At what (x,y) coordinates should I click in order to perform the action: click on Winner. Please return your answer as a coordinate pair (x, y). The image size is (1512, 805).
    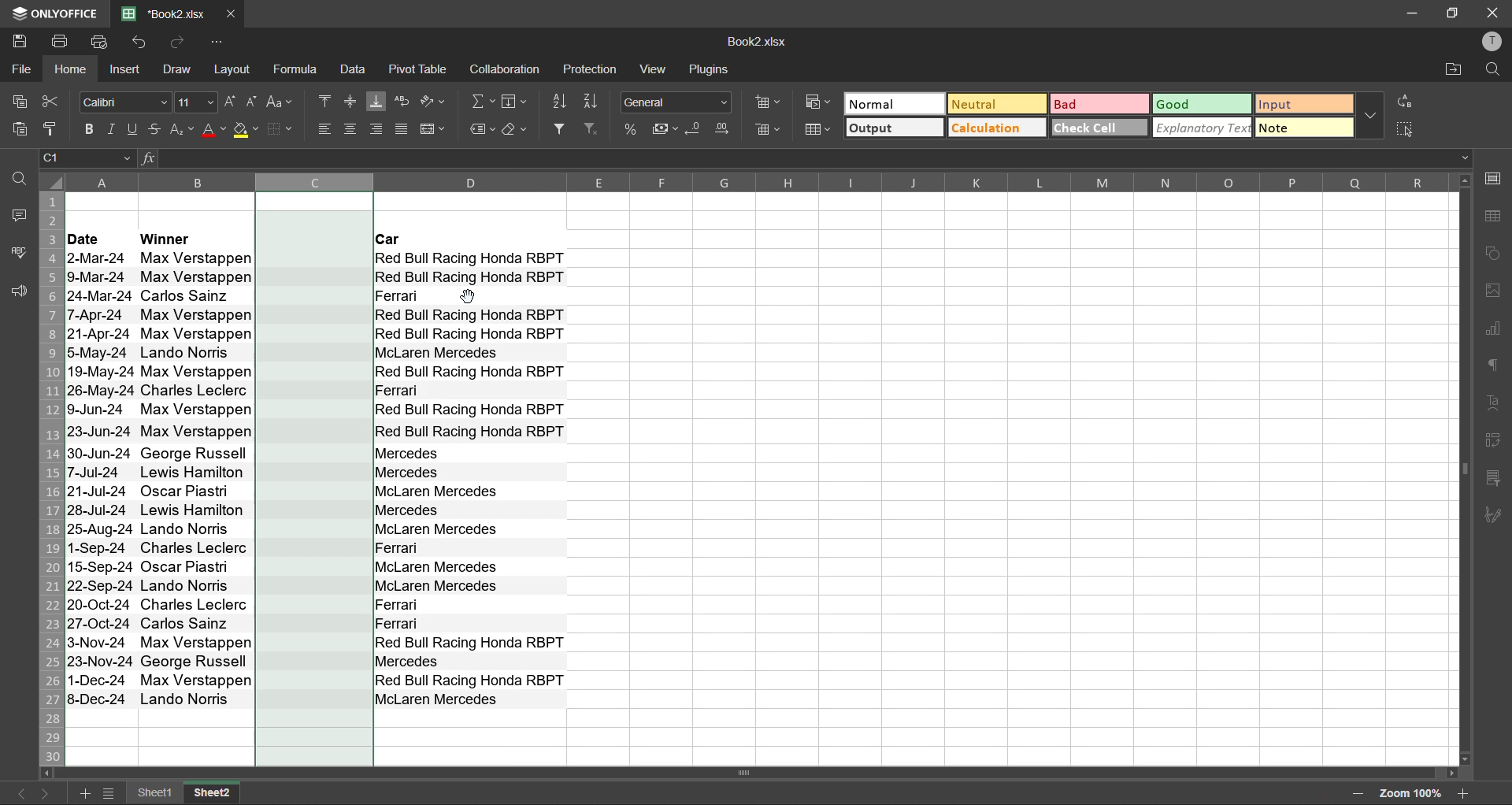
    Looking at the image, I should click on (194, 237).